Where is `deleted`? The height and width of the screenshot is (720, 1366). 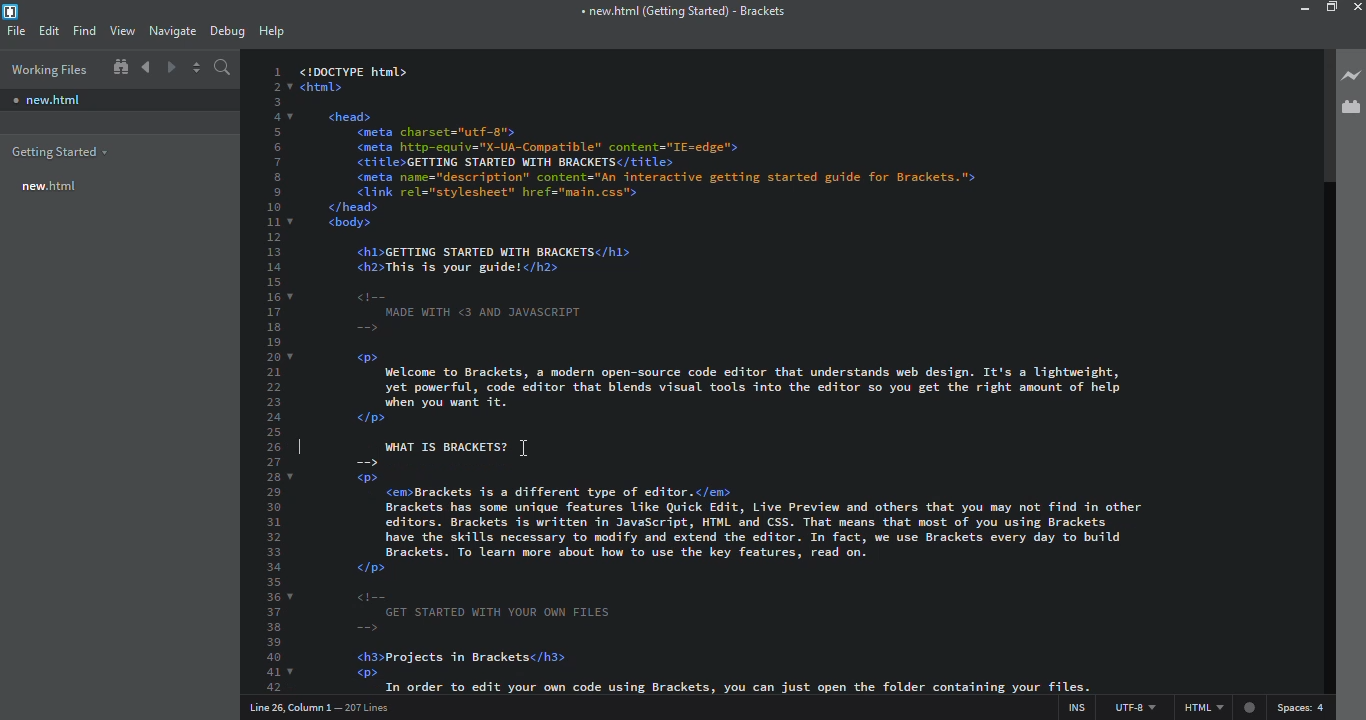
deleted is located at coordinates (322, 440).